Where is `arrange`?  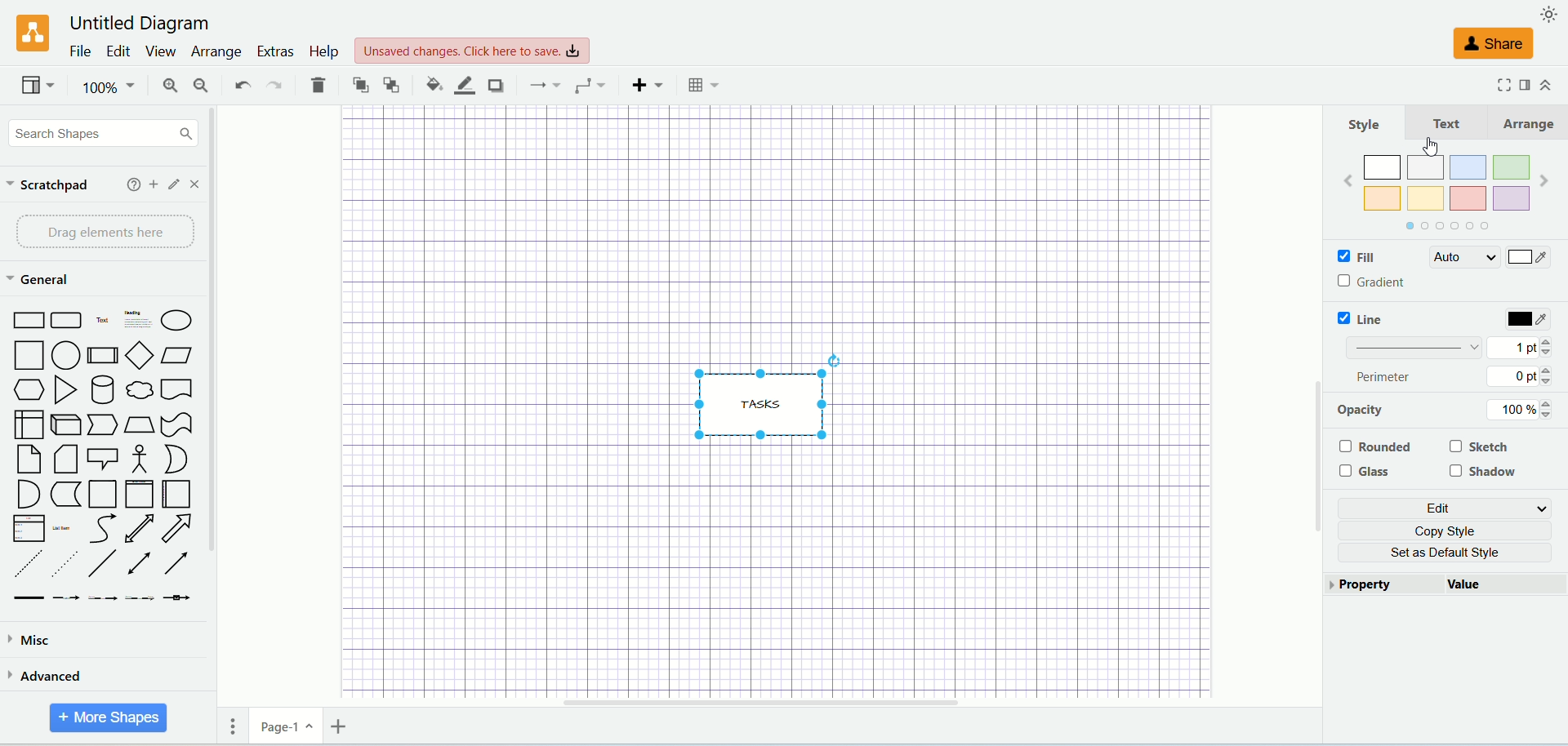
arrange is located at coordinates (215, 53).